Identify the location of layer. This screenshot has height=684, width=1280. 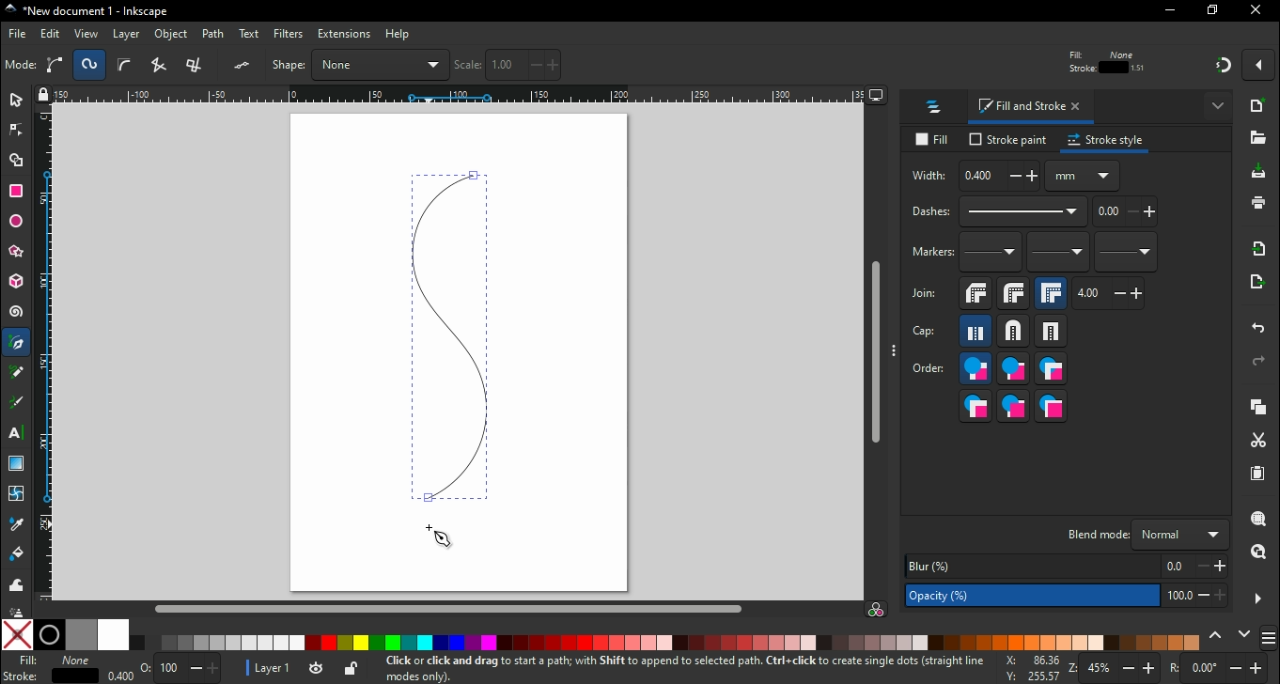
(127, 35).